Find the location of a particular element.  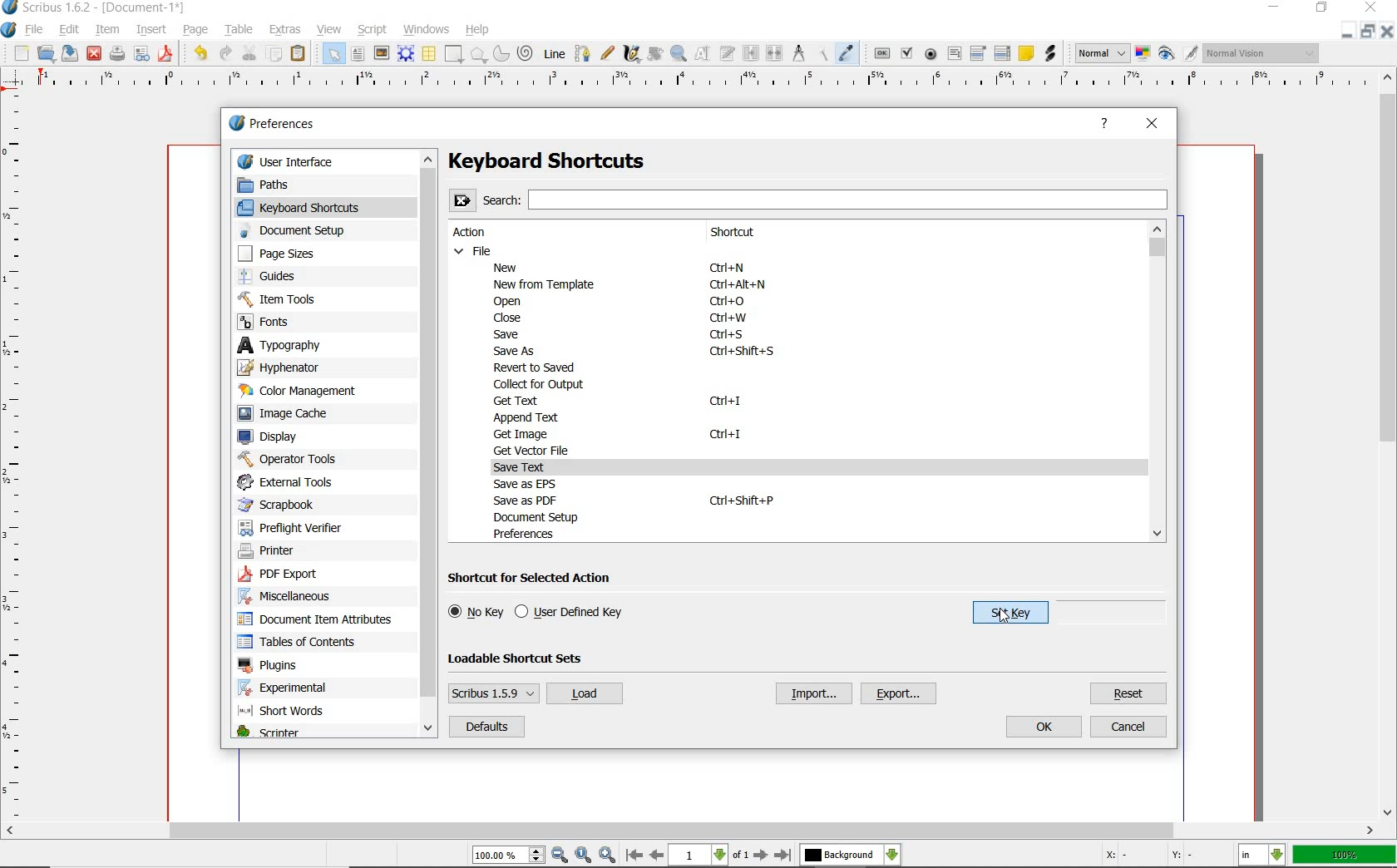

edit text with story editor is located at coordinates (728, 52).